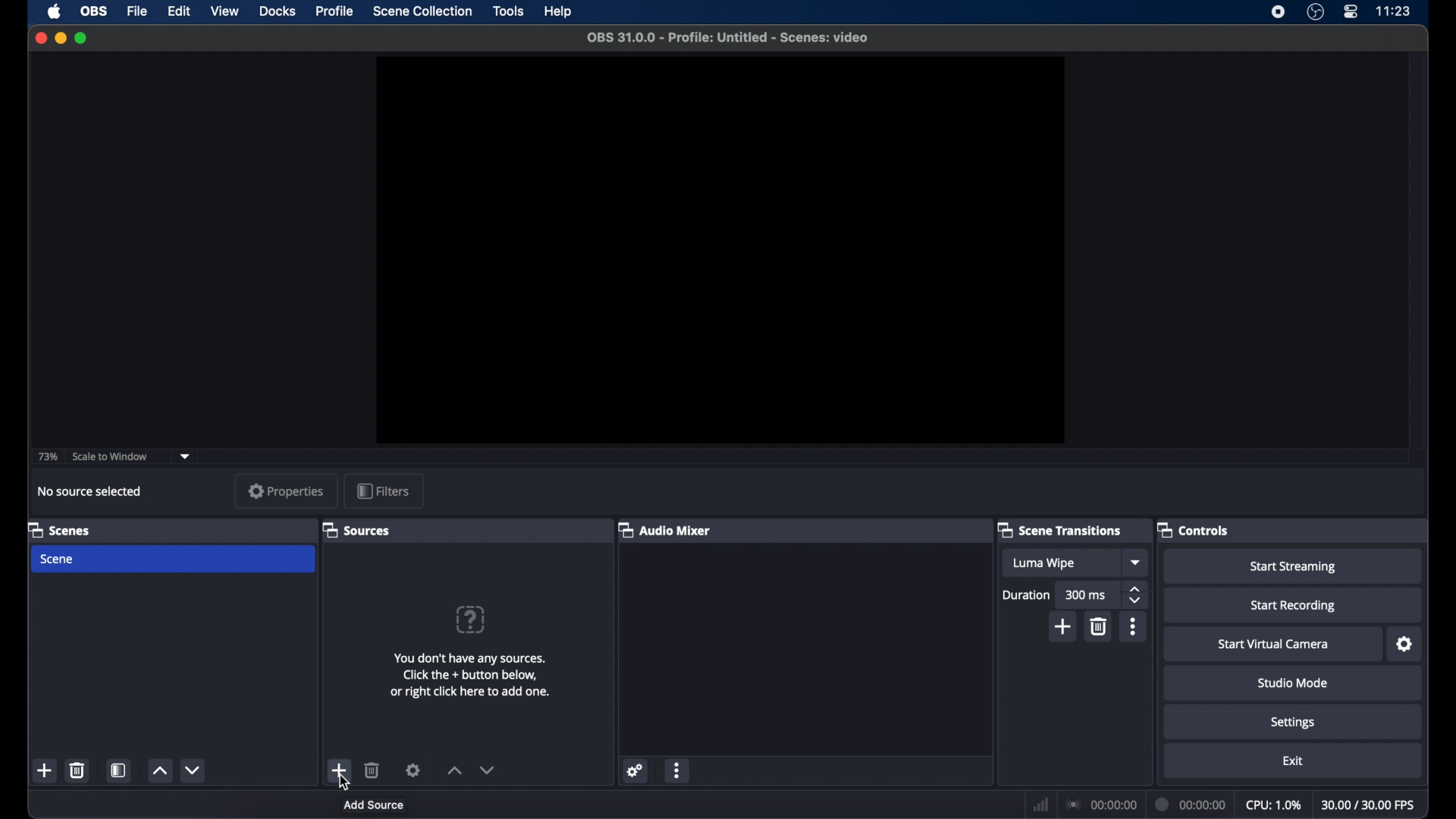 This screenshot has width=1456, height=819. Describe the element at coordinates (1060, 530) in the screenshot. I see `scene transitions` at that location.